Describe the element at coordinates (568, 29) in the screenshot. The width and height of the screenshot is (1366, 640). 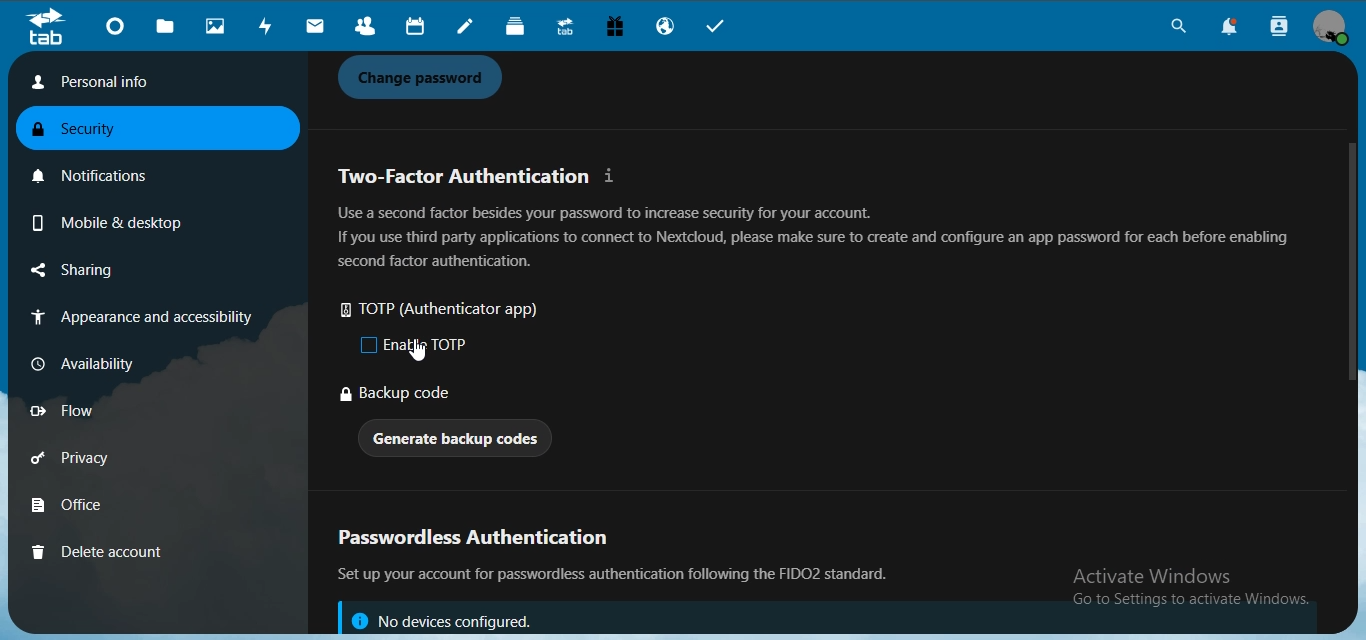
I see `upgrade` at that location.